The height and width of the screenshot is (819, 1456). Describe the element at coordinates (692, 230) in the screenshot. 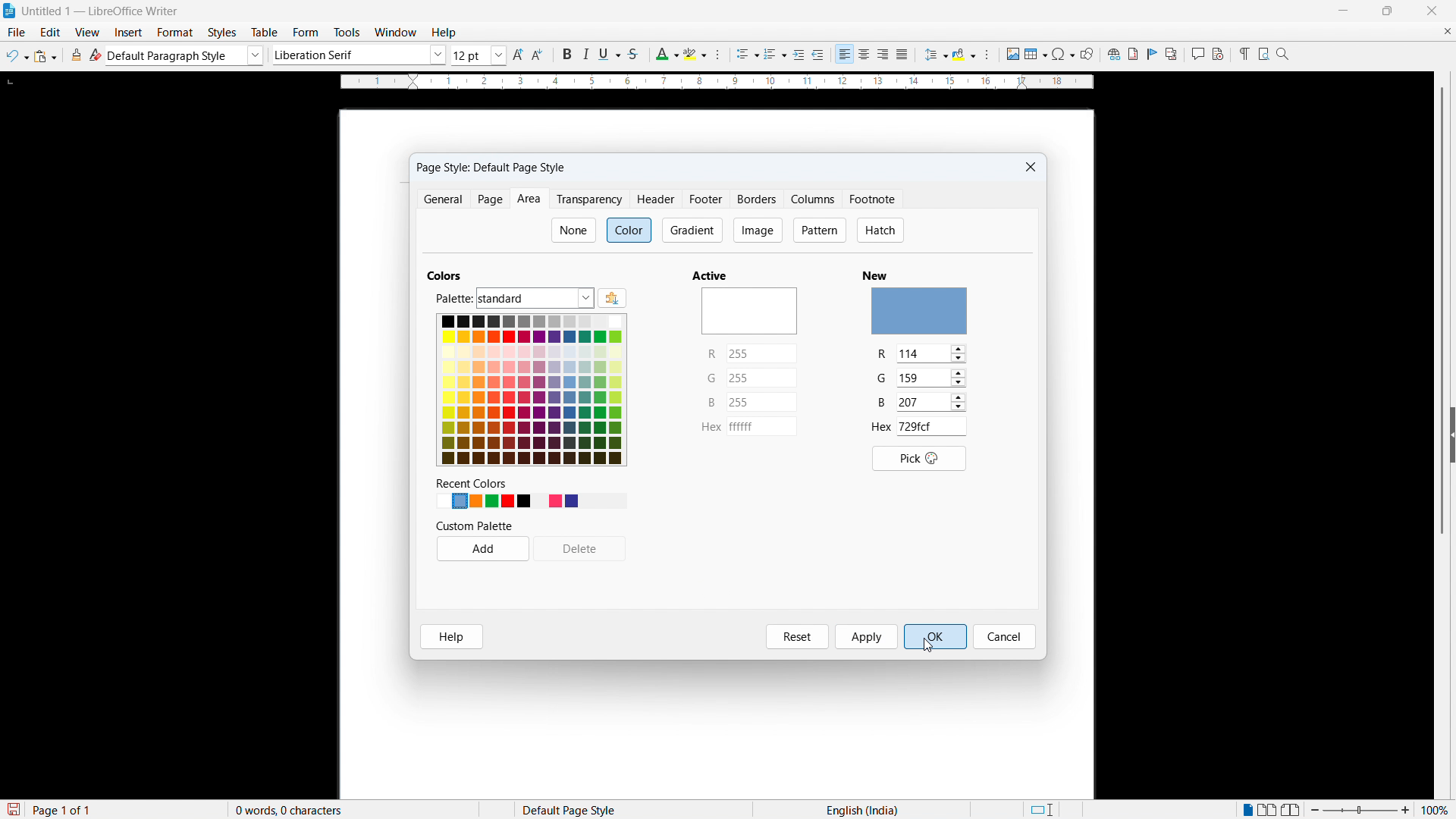

I see `Gradient ` at that location.